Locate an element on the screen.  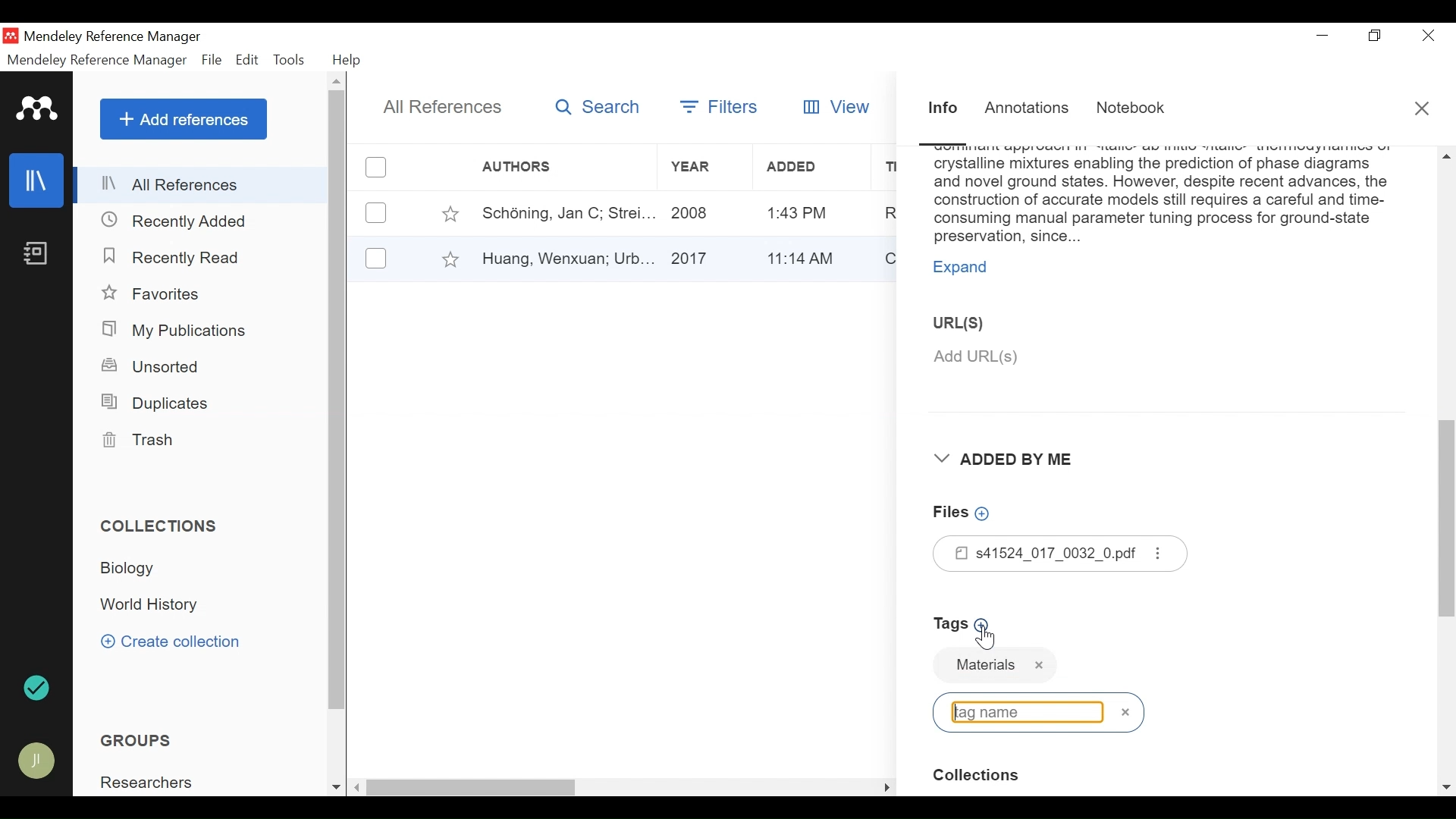
Edit is located at coordinates (247, 60).